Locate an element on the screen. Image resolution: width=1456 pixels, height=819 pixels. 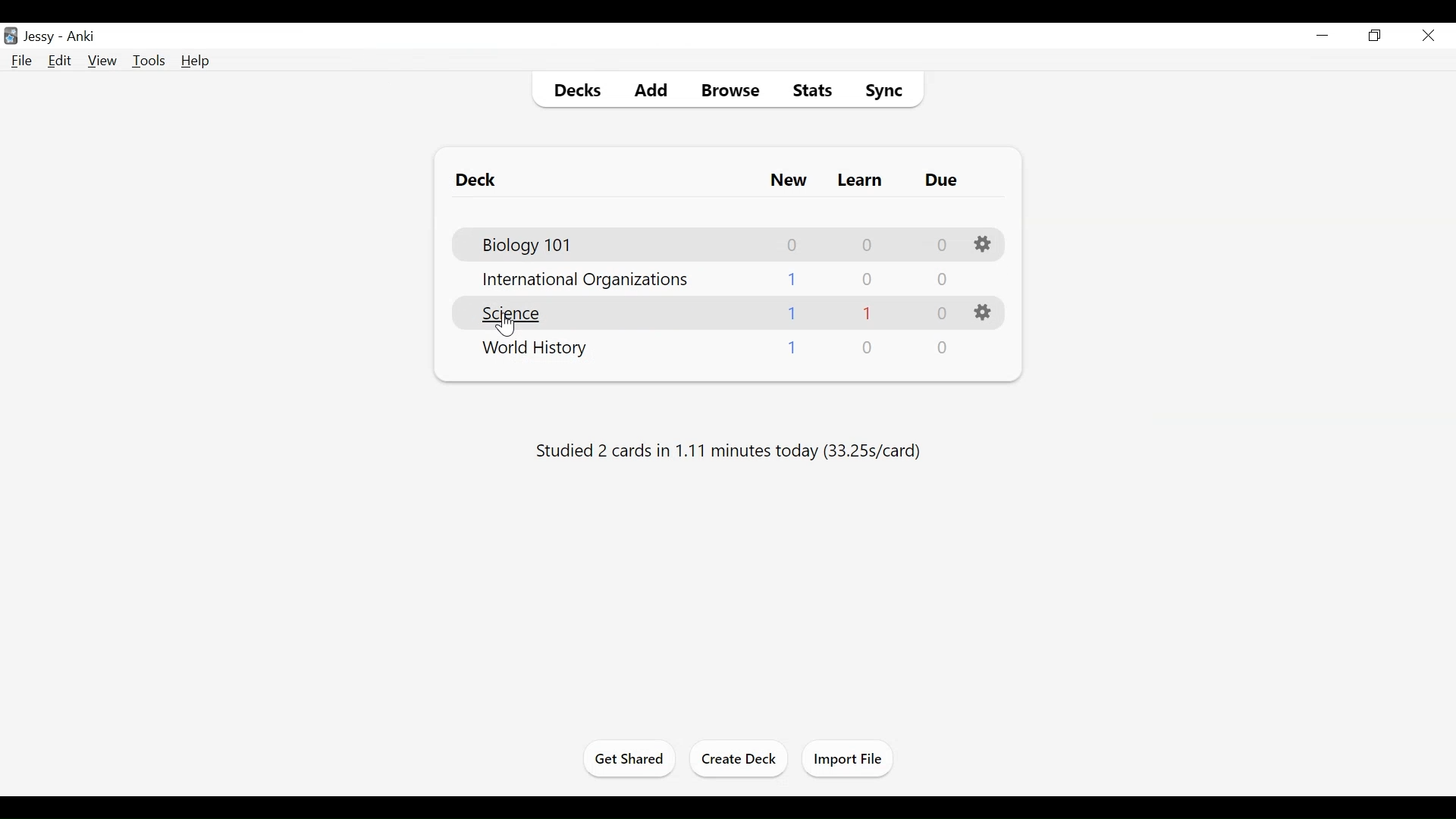
Options is located at coordinates (984, 312).